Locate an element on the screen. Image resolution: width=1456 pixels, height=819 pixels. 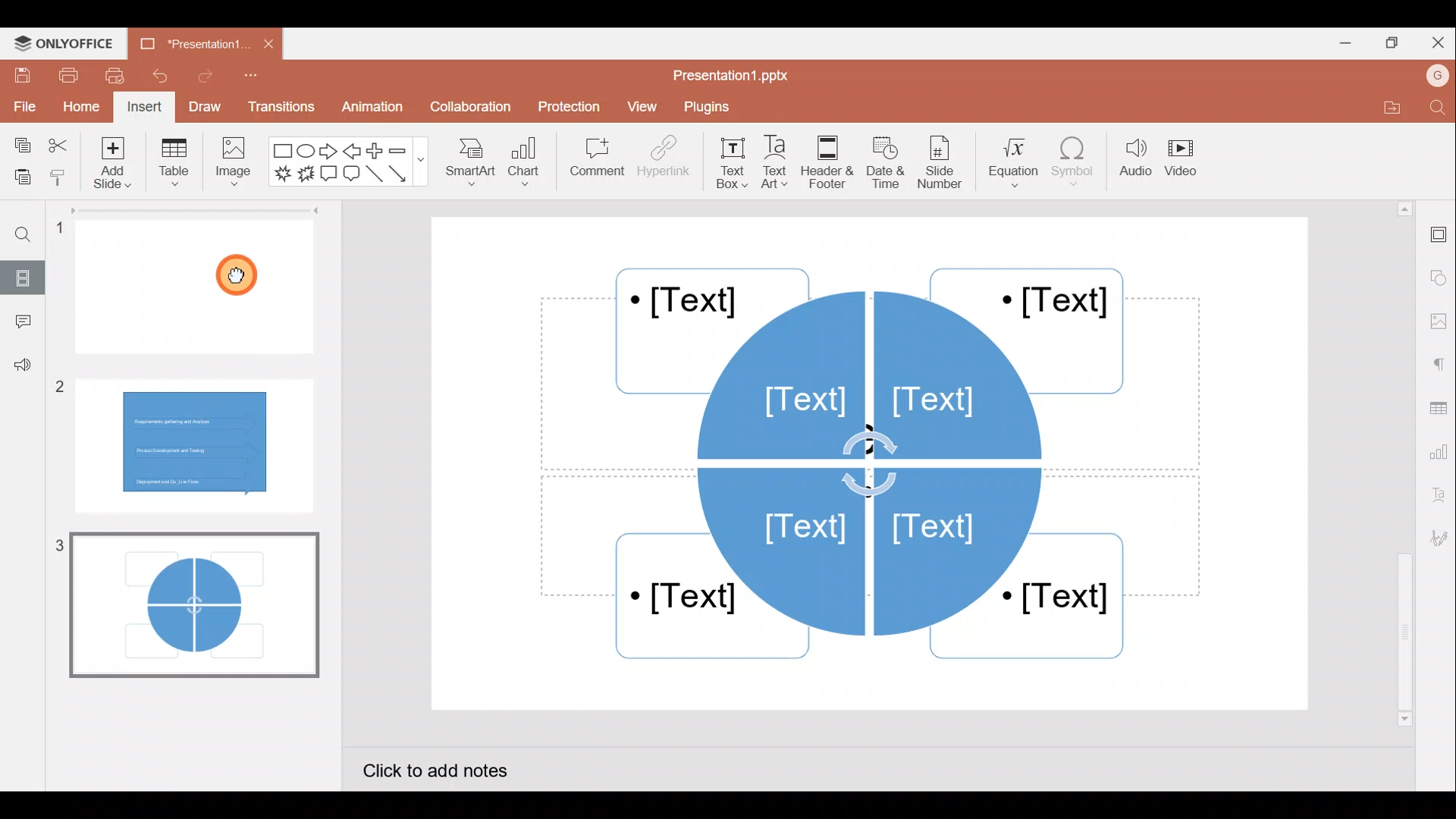
Image is located at coordinates (236, 168).